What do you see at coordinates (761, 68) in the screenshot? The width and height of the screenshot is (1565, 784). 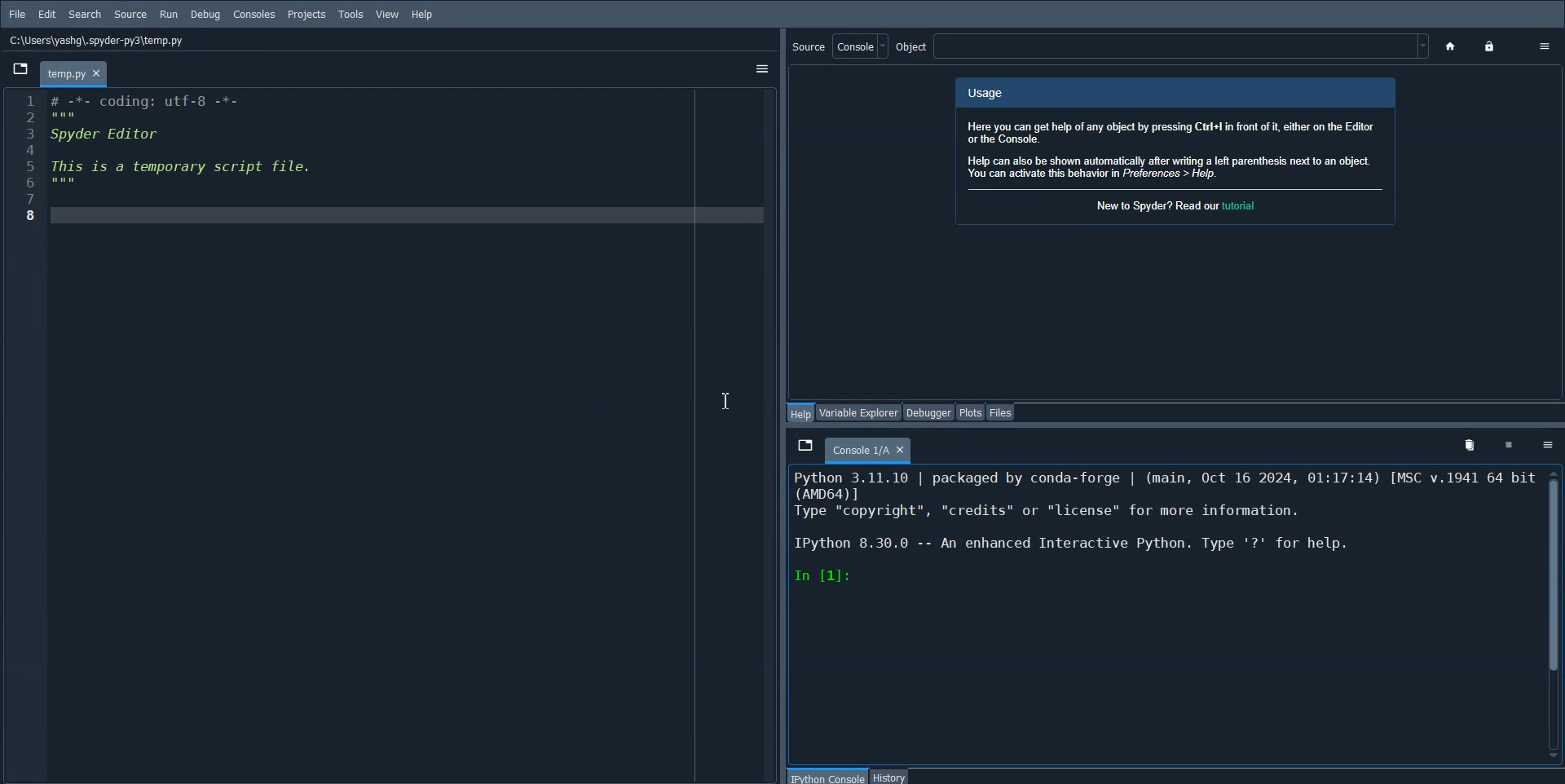 I see `Options` at bounding box center [761, 68].